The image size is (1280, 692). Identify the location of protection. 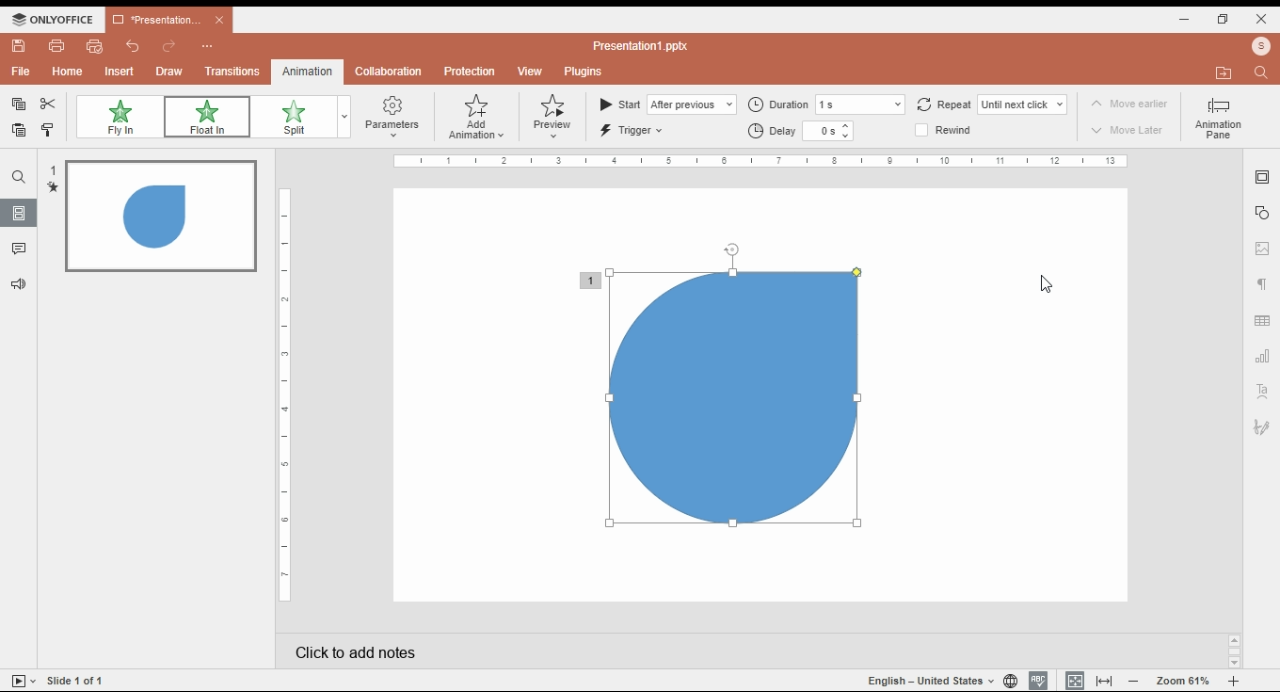
(469, 71).